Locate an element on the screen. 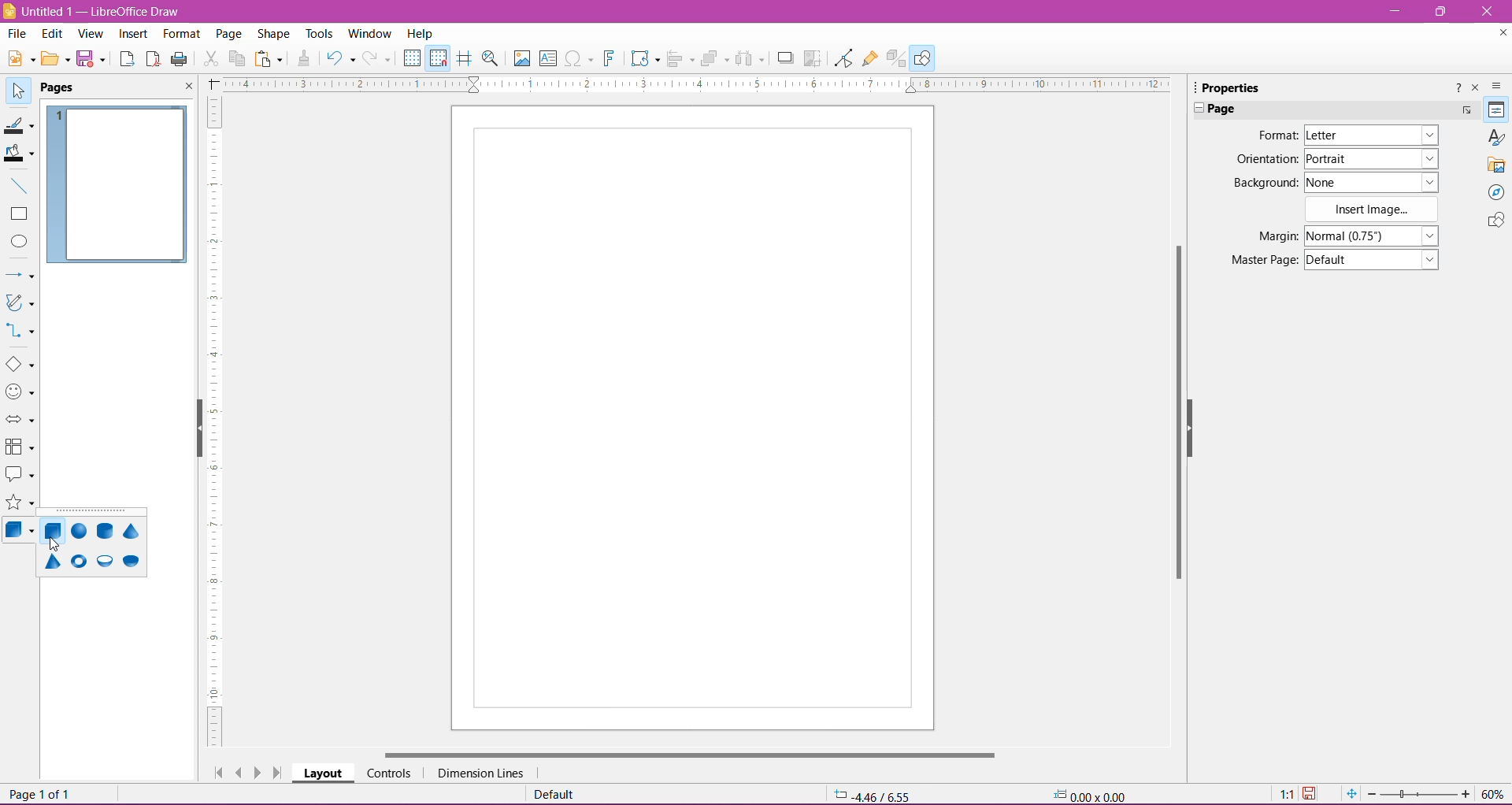 This screenshot has height=805, width=1512. Snap to Grid is located at coordinates (437, 57).